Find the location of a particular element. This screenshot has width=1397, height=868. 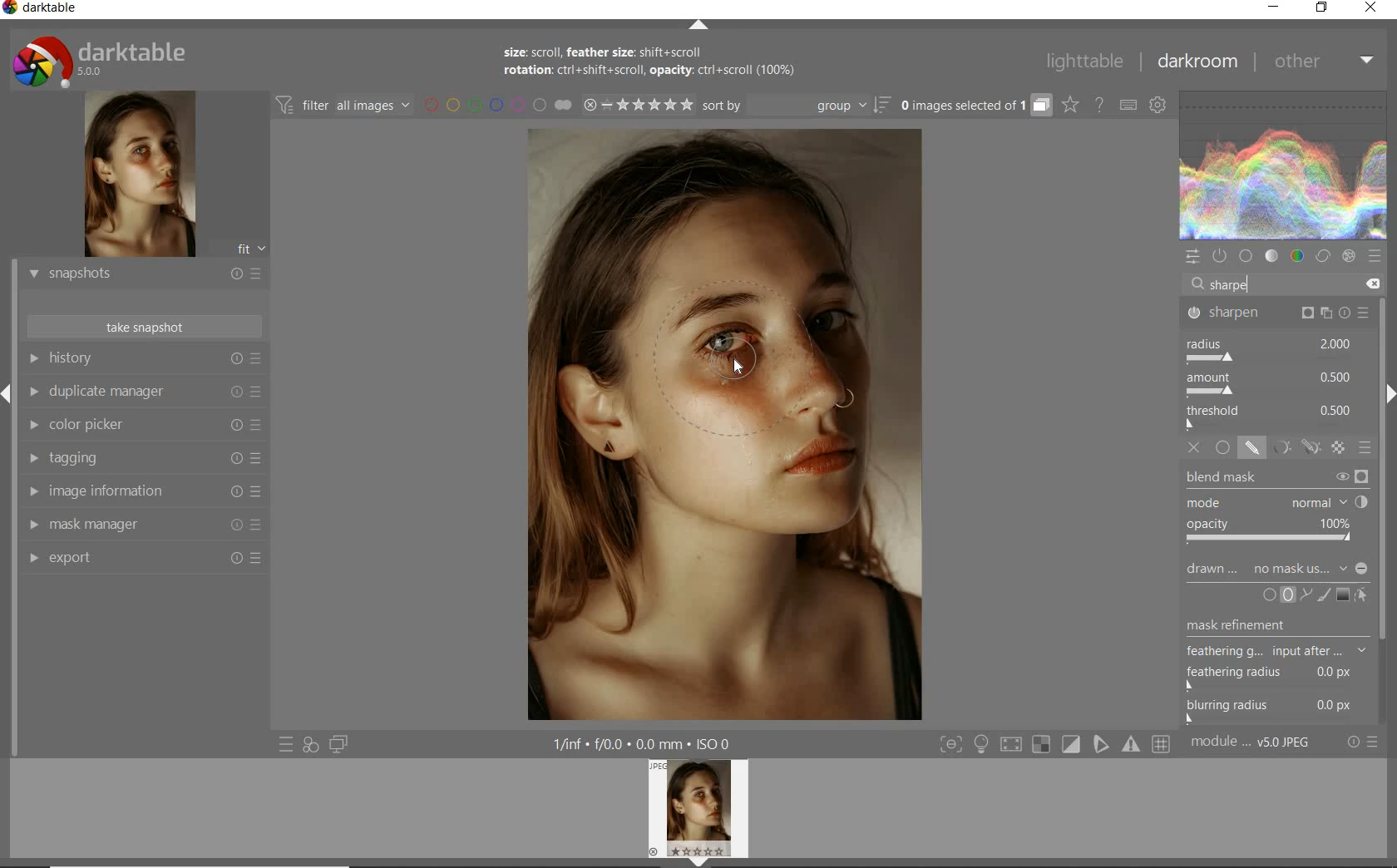

base is located at coordinates (1247, 257).